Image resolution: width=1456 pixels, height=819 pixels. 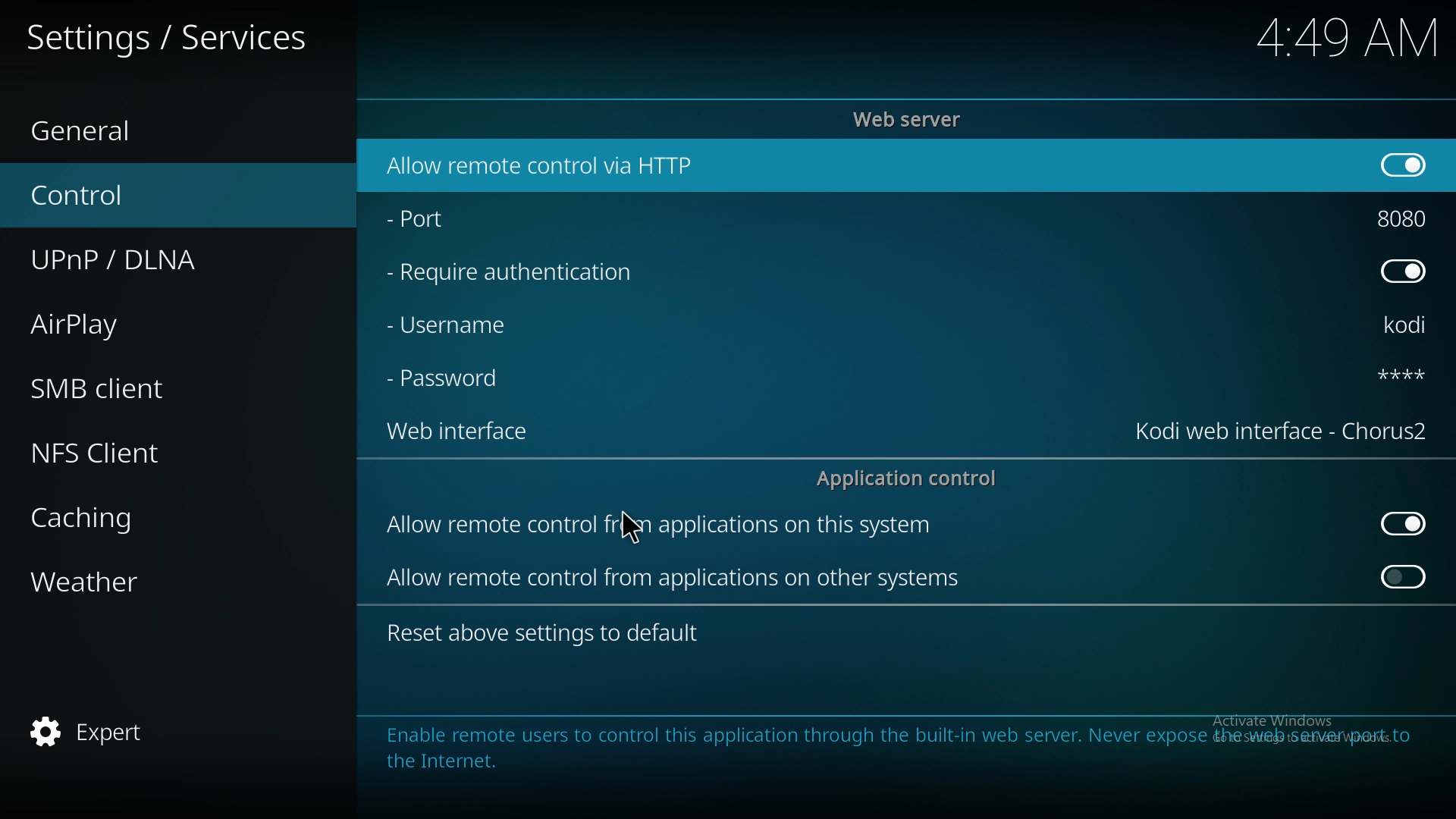 I want to click on services, so click(x=182, y=35).